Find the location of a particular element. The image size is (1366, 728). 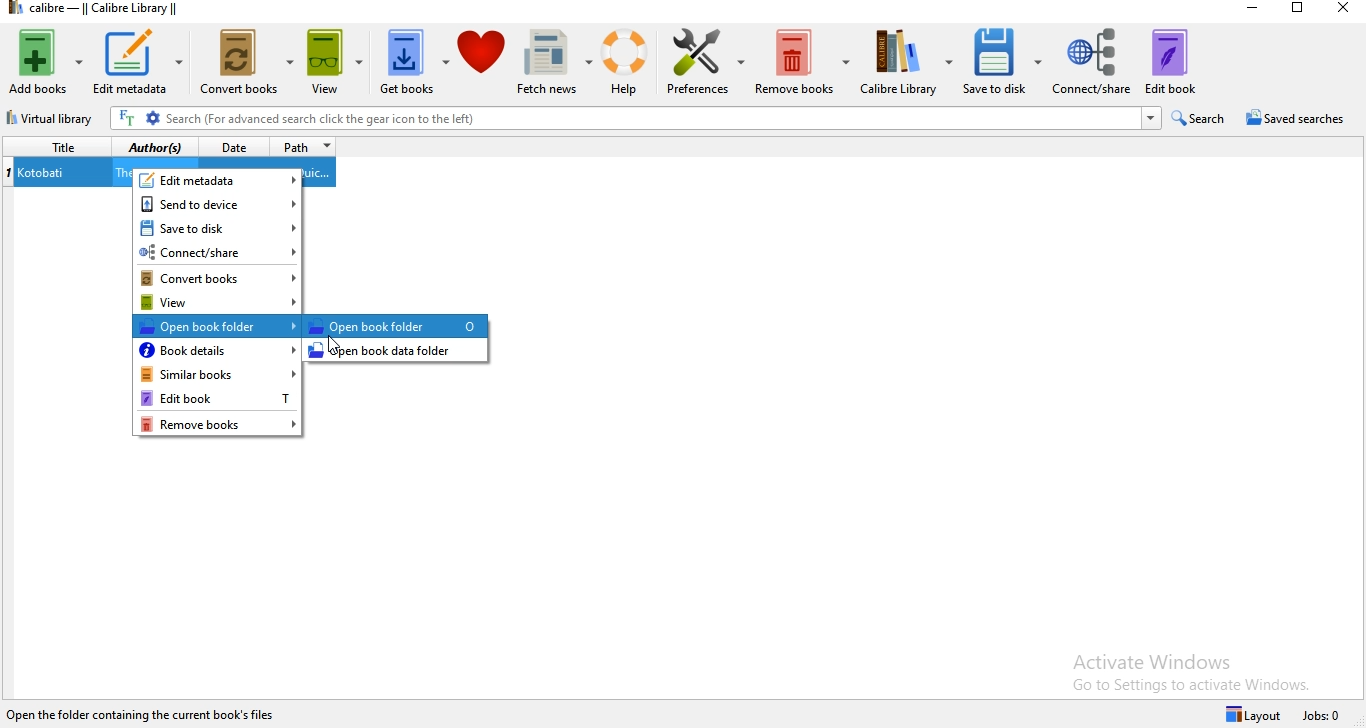

connect/share is located at coordinates (1090, 61).